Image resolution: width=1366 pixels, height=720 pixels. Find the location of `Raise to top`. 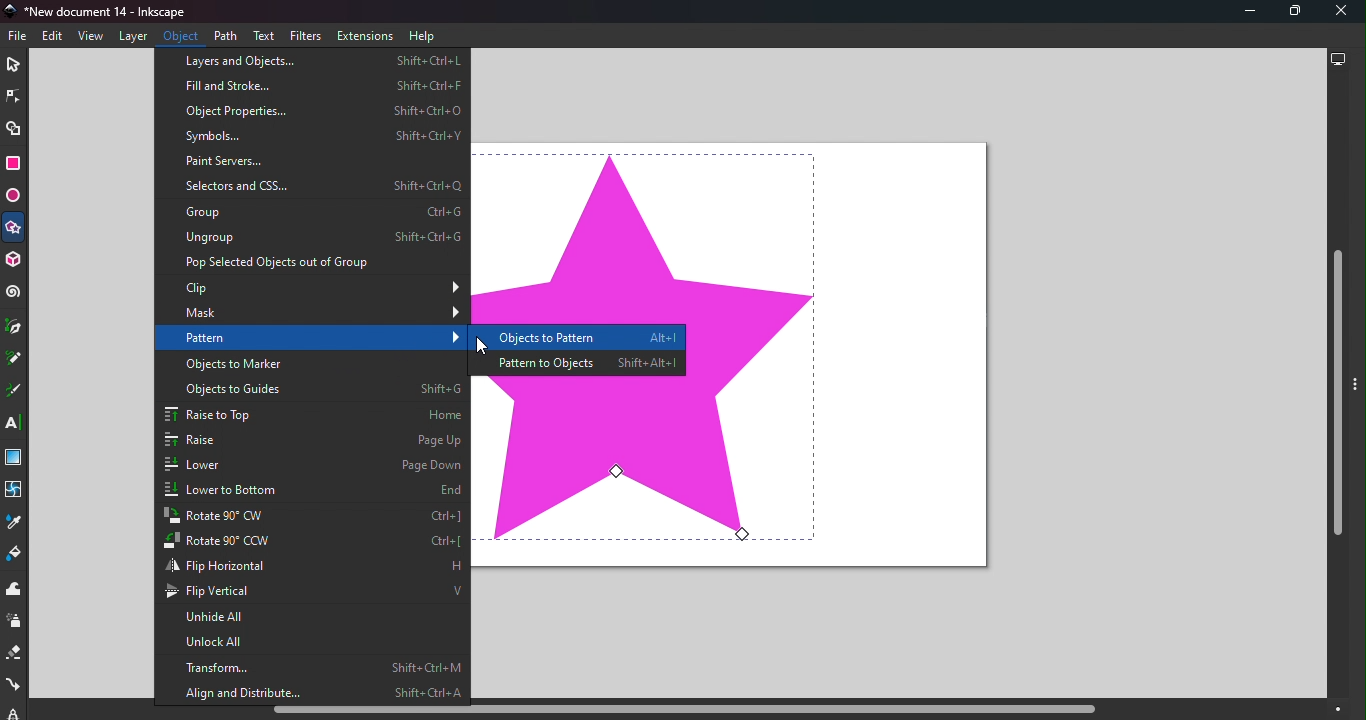

Raise to top is located at coordinates (314, 415).